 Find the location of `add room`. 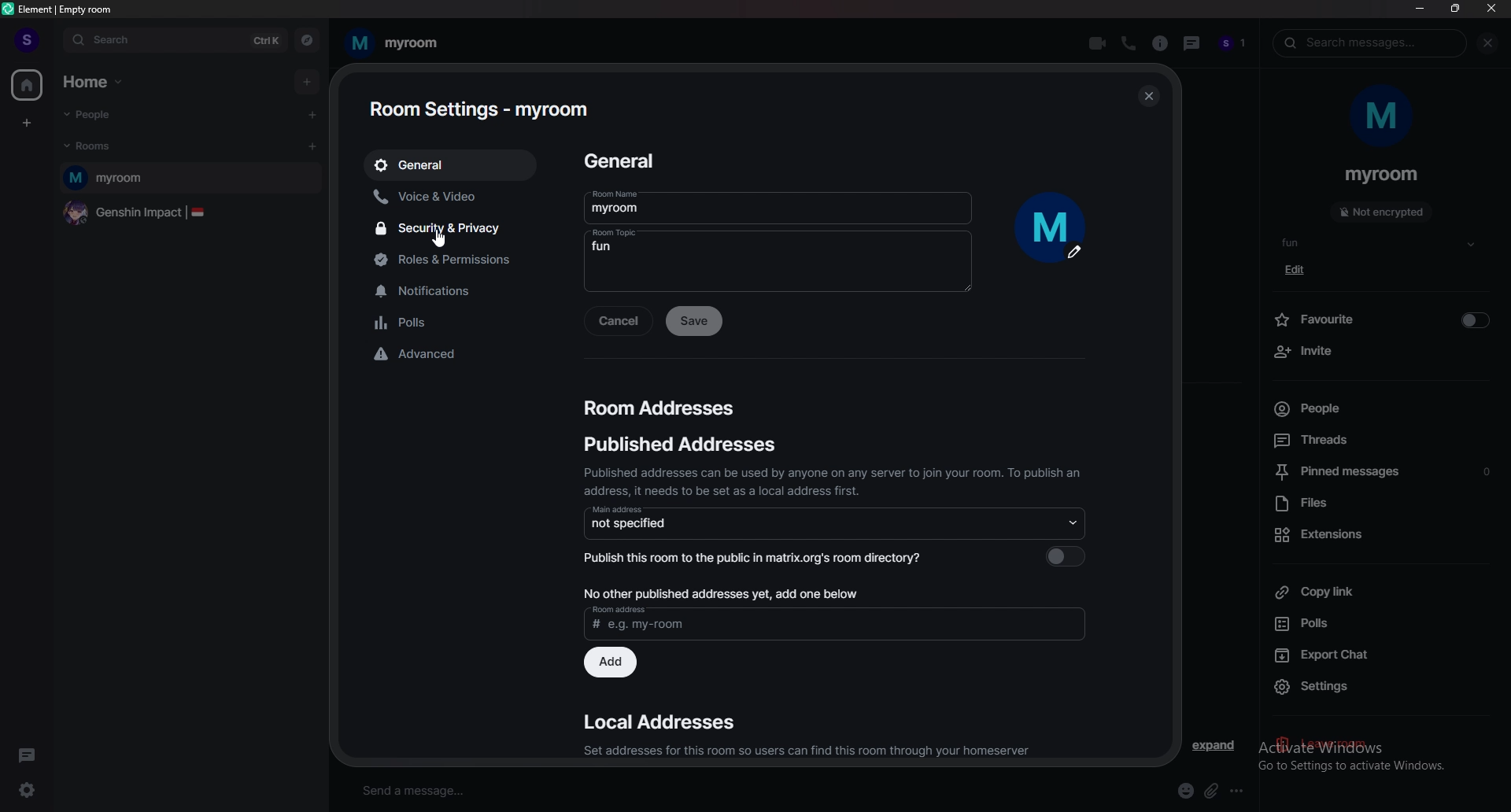

add room is located at coordinates (312, 147).